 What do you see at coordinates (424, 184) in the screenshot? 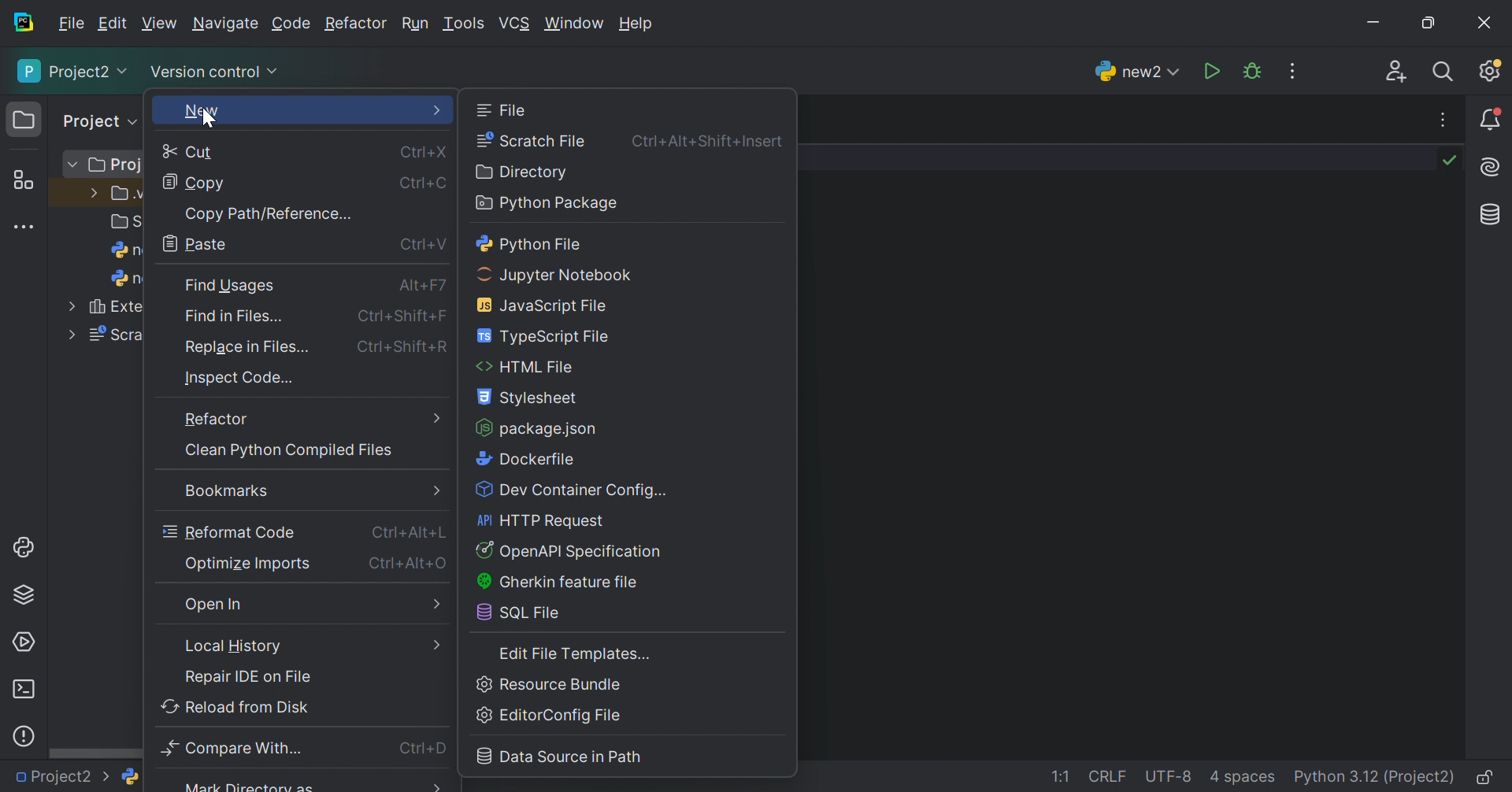
I see `Ctrl+C` at bounding box center [424, 184].